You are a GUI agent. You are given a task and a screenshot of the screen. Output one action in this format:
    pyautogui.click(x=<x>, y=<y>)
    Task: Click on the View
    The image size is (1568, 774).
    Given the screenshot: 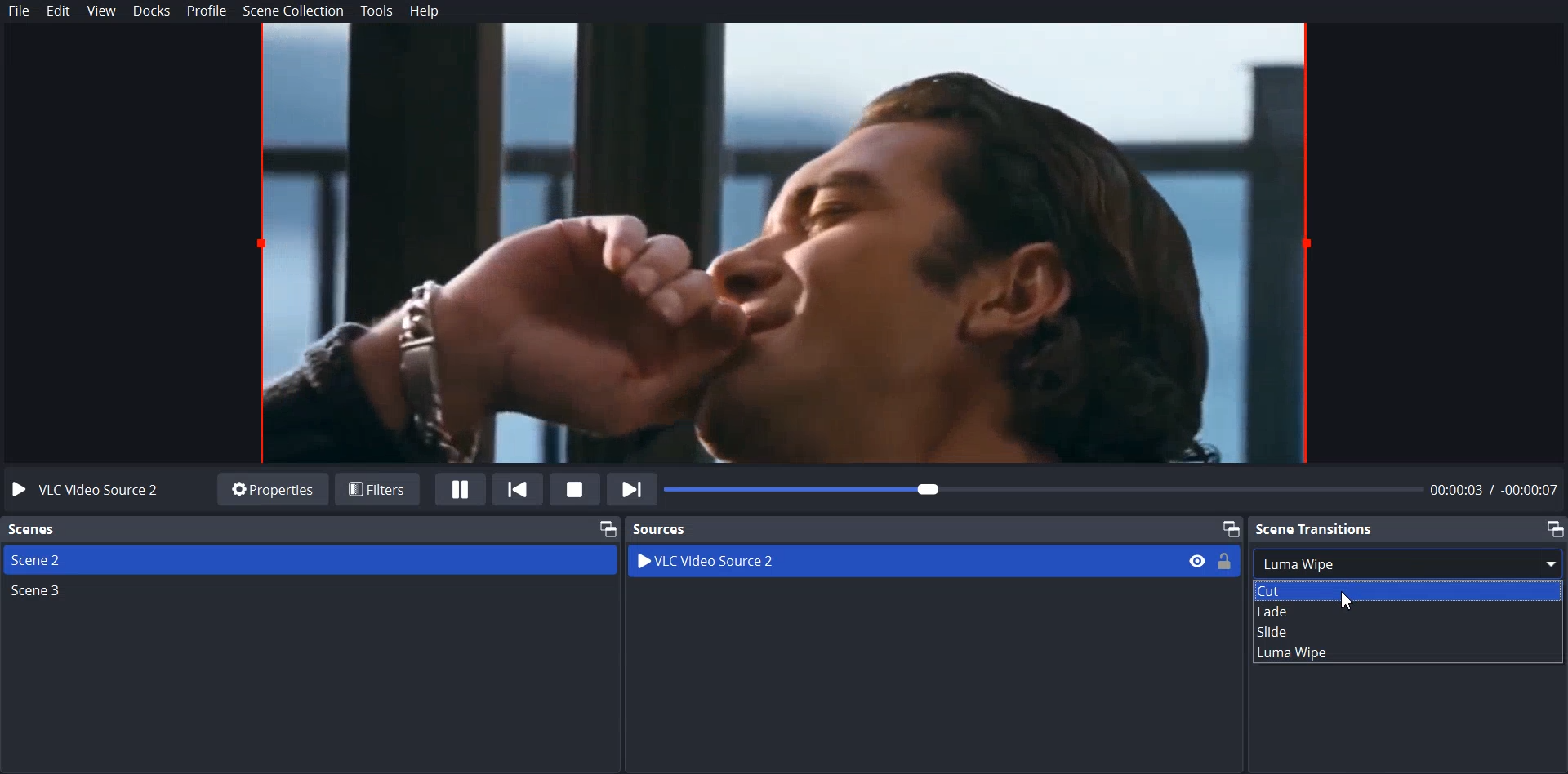 What is the action you would take?
    pyautogui.click(x=102, y=11)
    